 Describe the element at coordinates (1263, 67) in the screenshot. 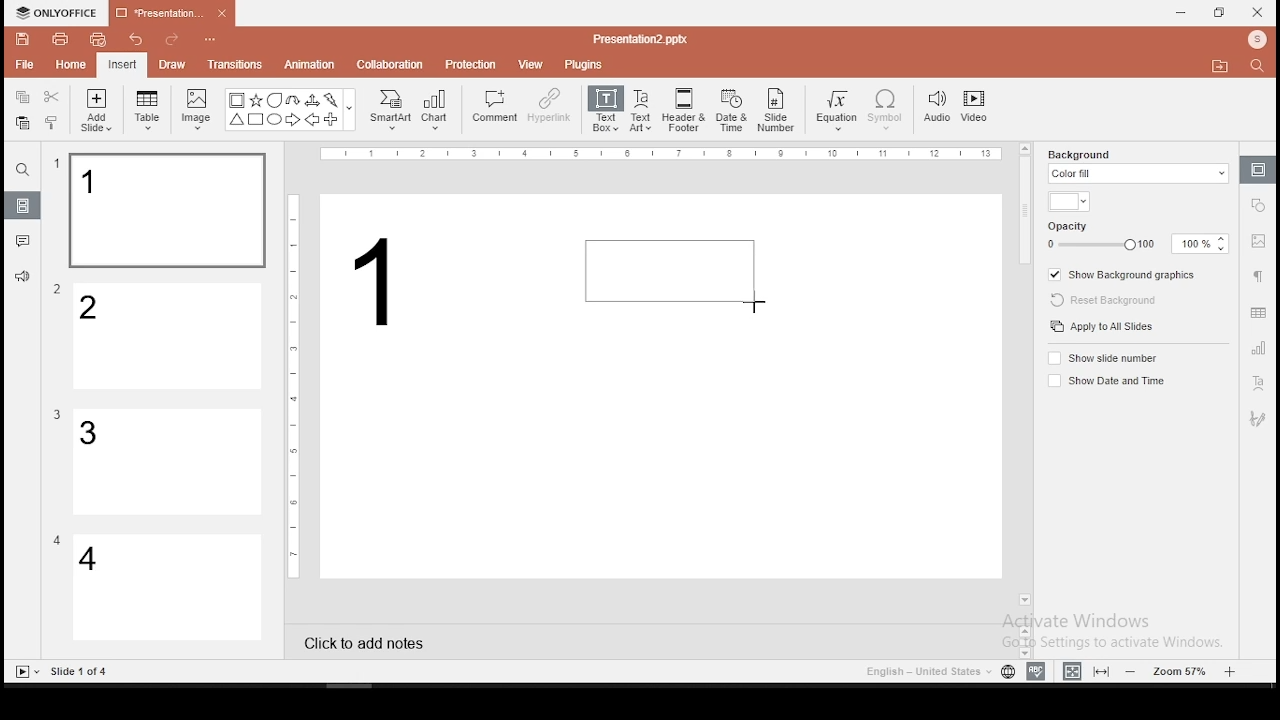

I see `Search` at that location.